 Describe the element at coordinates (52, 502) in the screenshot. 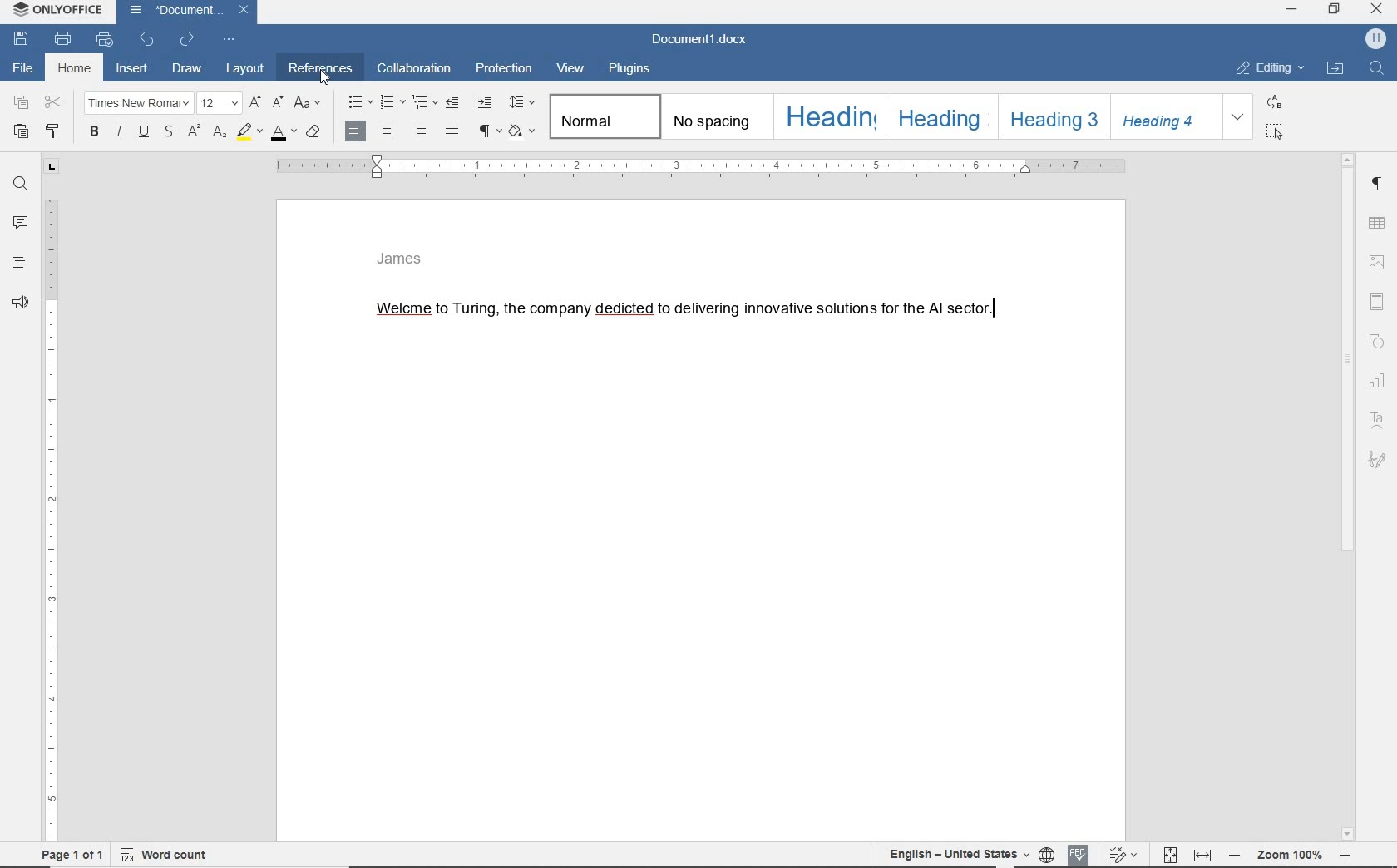

I see `ruler` at that location.